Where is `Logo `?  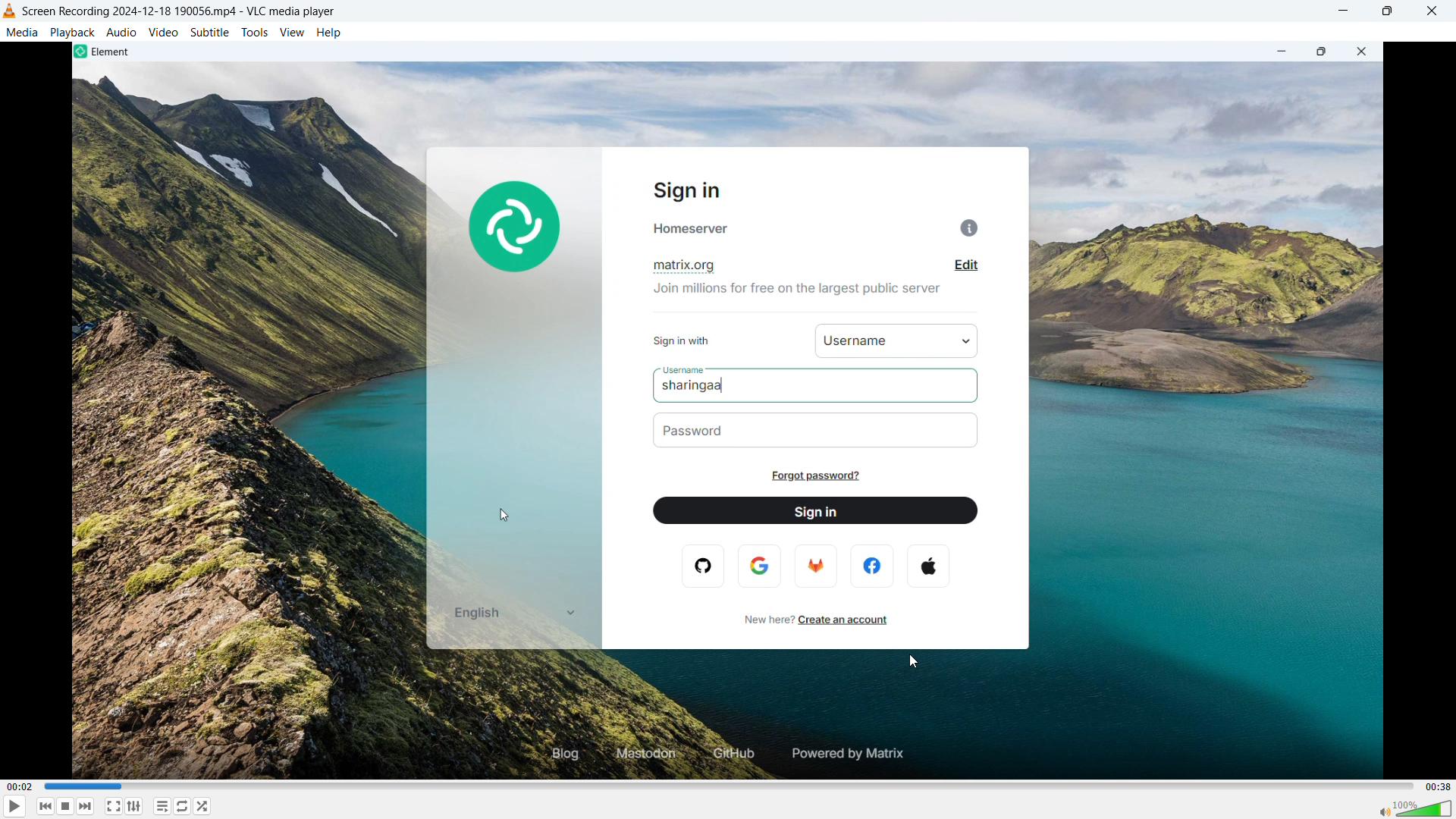
Logo  is located at coordinates (10, 11).